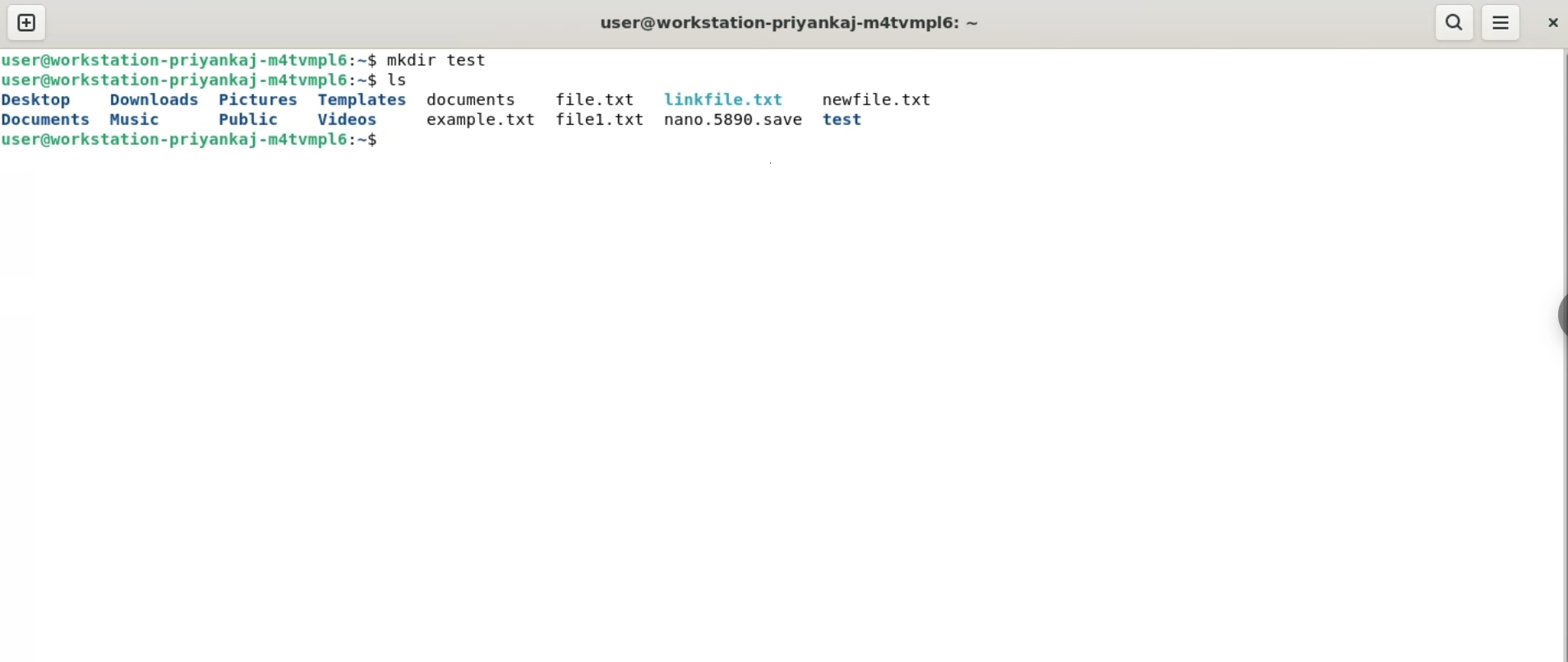 Image resolution: width=1568 pixels, height=662 pixels. Describe the element at coordinates (191, 81) in the screenshot. I see `user@workstation-priyankaj-m4tvmpl6: ~$` at that location.